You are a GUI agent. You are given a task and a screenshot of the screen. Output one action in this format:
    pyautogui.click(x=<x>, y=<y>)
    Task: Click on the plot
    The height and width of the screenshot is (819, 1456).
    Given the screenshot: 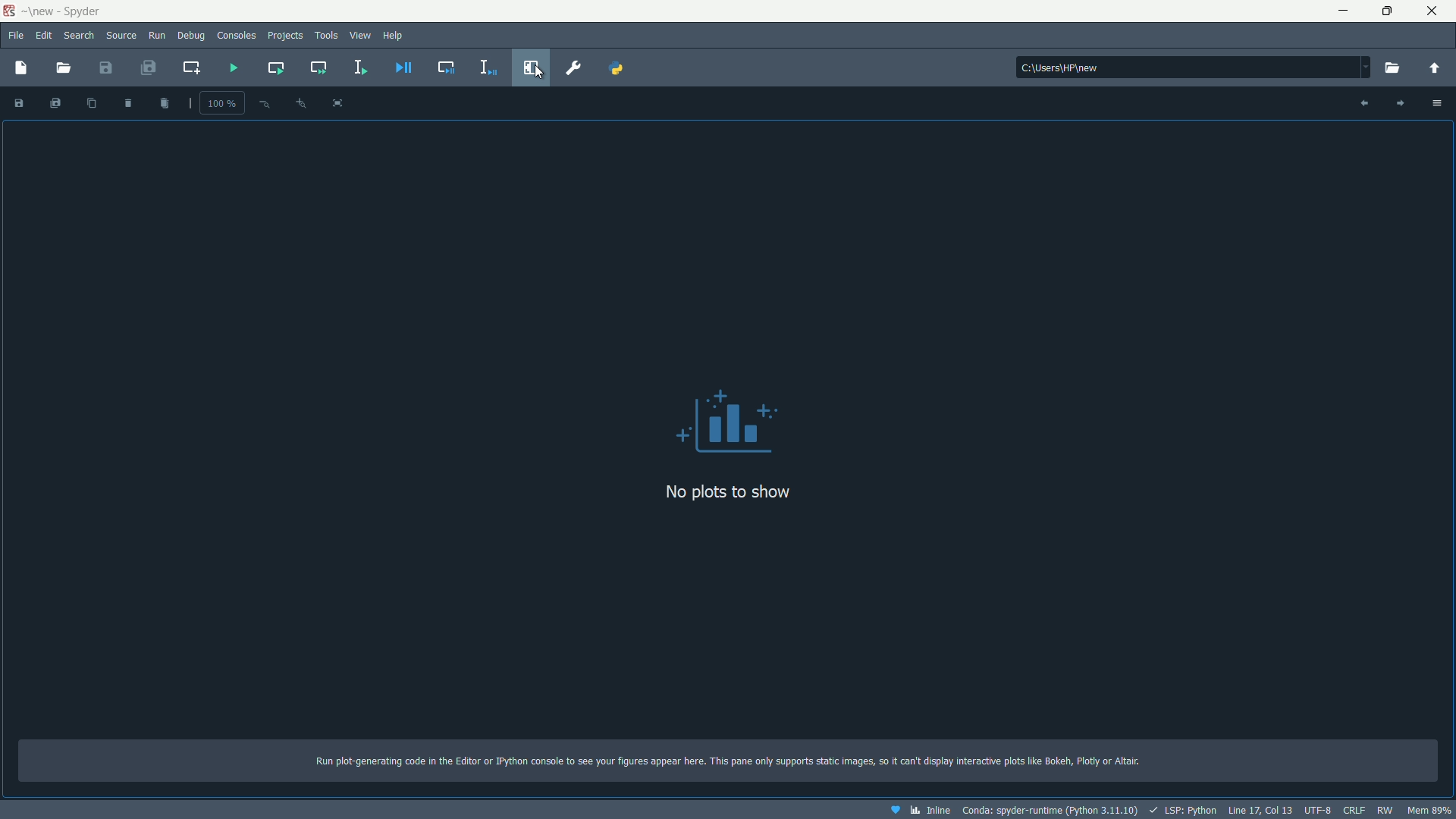 What is the action you would take?
    pyautogui.click(x=730, y=423)
    